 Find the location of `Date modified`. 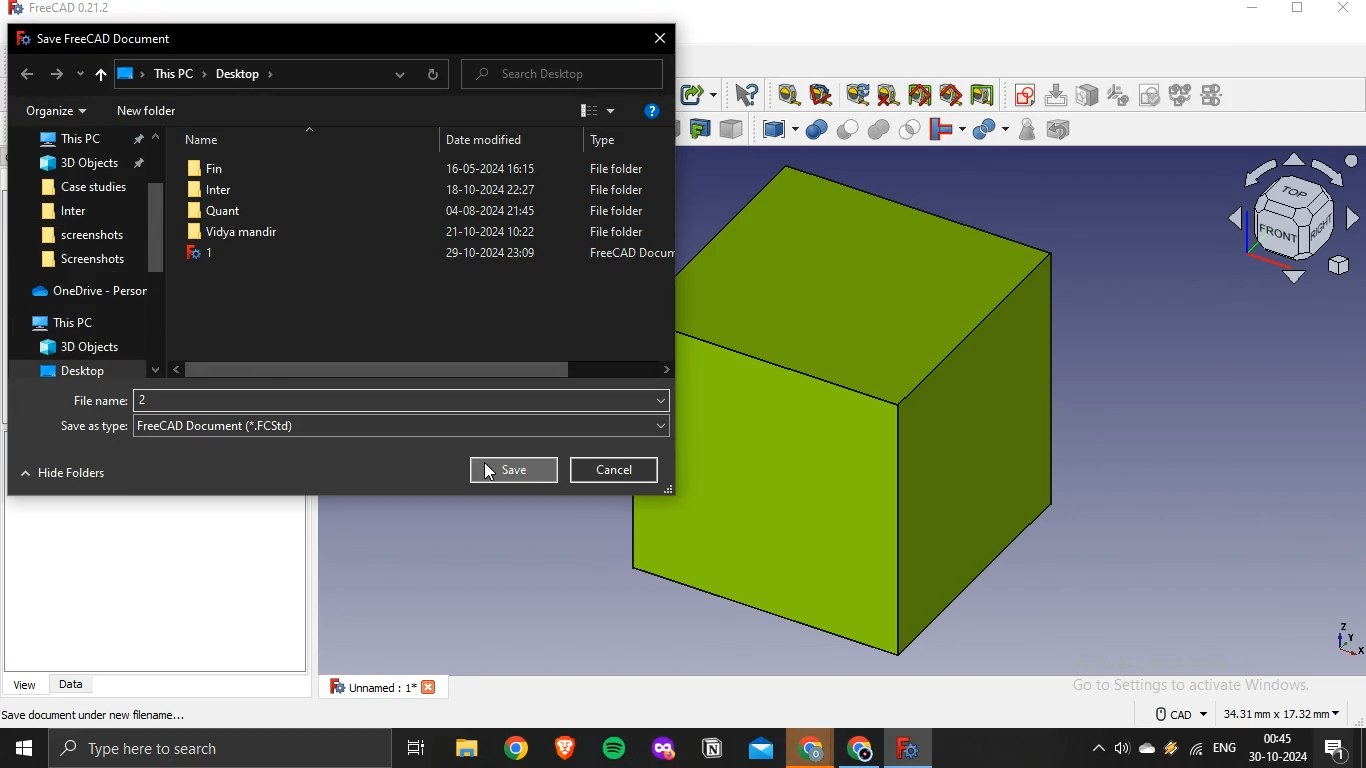

Date modified is located at coordinates (482, 140).